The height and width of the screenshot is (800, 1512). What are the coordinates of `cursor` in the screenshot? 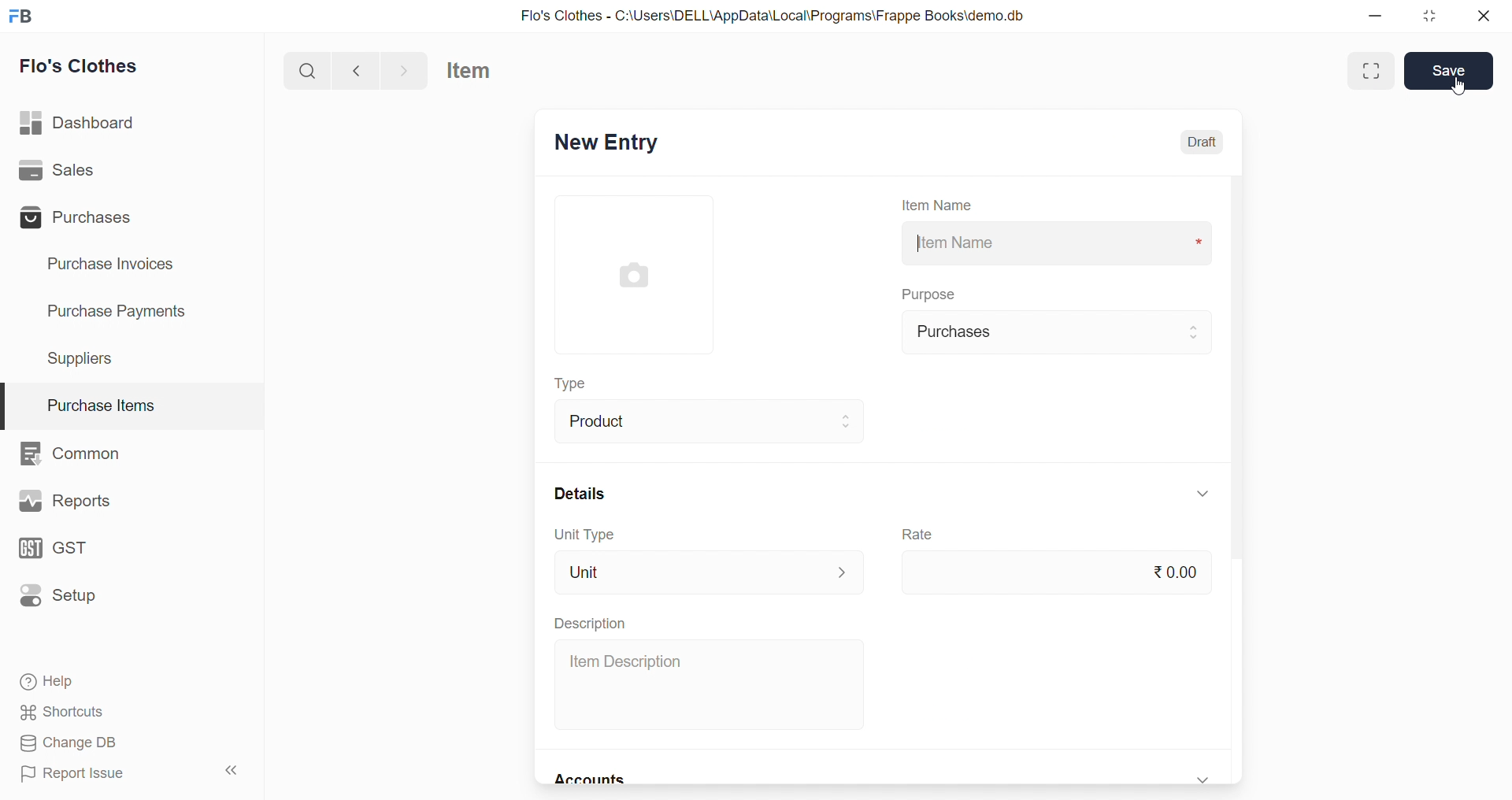 It's located at (1466, 83).